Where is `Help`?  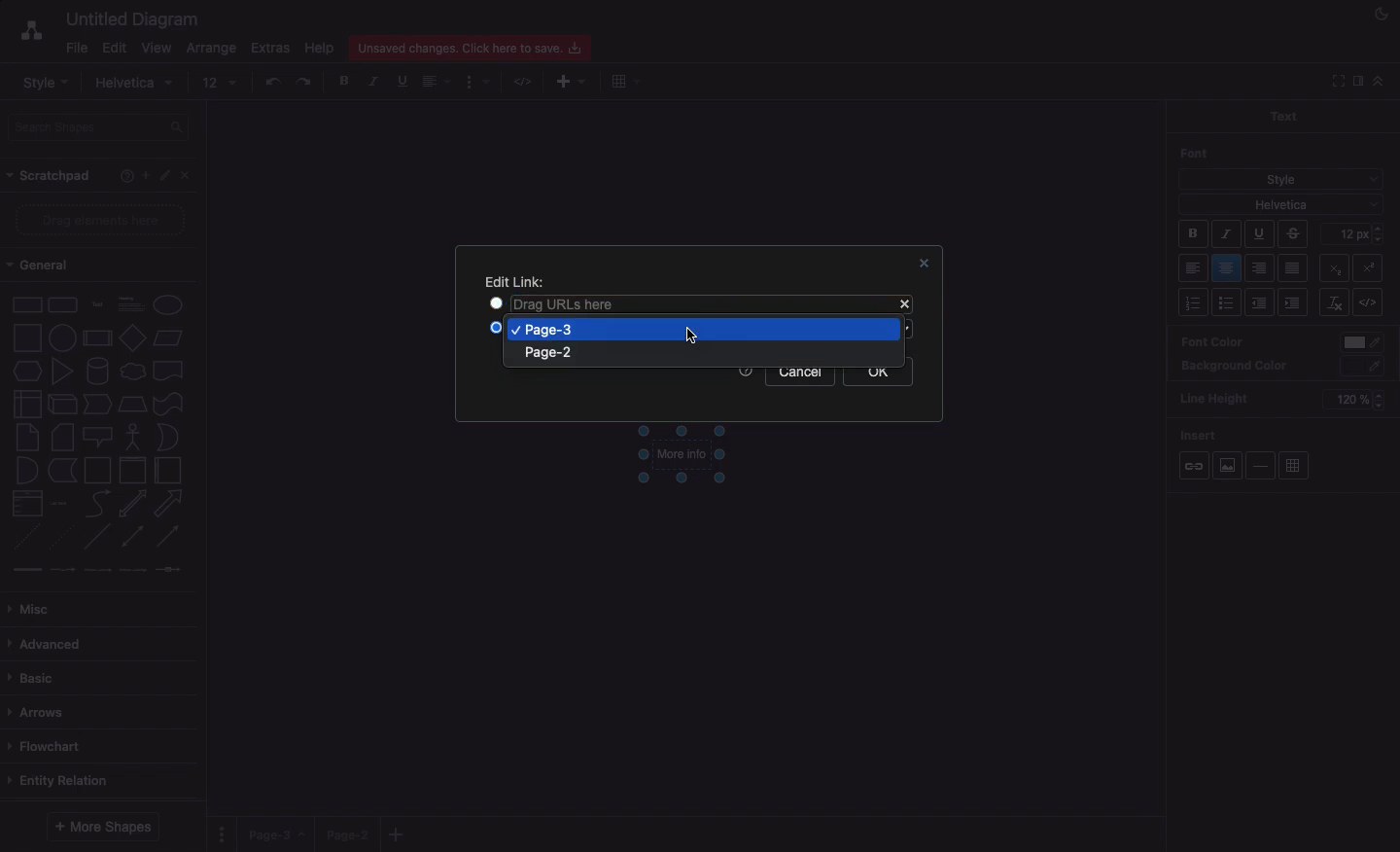 Help is located at coordinates (746, 371).